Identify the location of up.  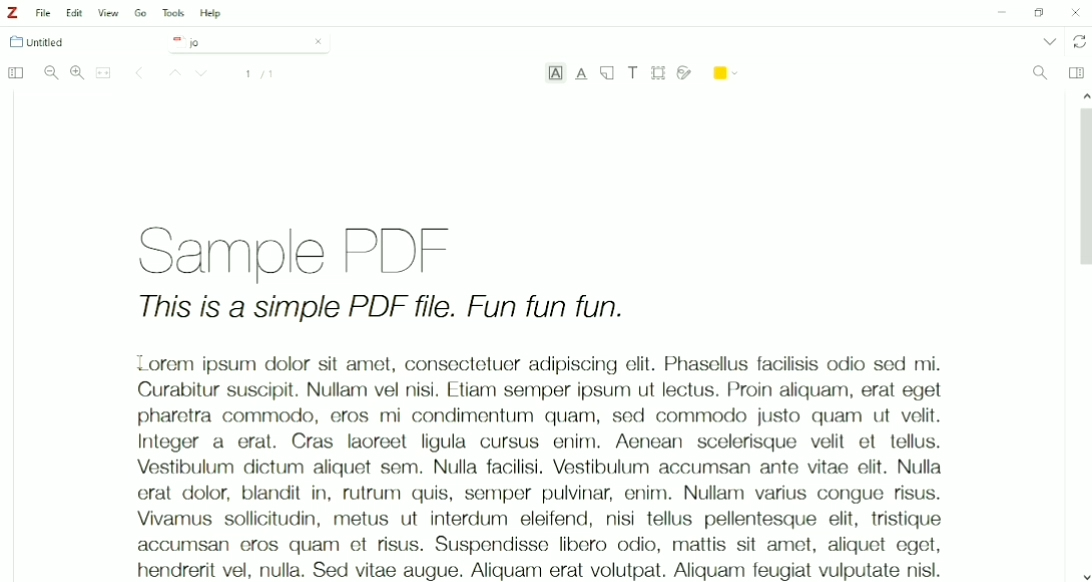
(1082, 94).